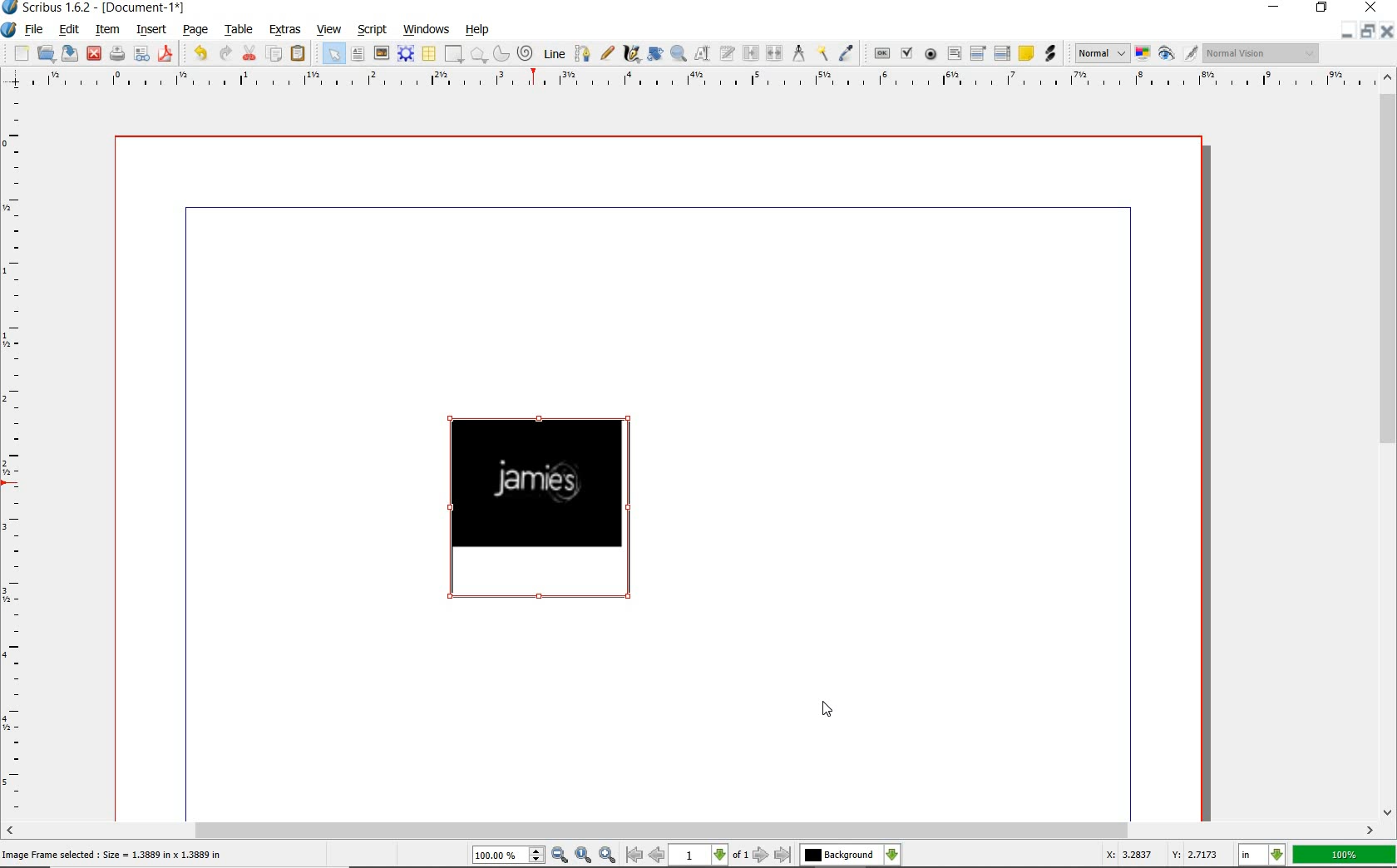 Image resolution: width=1397 pixels, height=868 pixels. I want to click on table, so click(238, 28).